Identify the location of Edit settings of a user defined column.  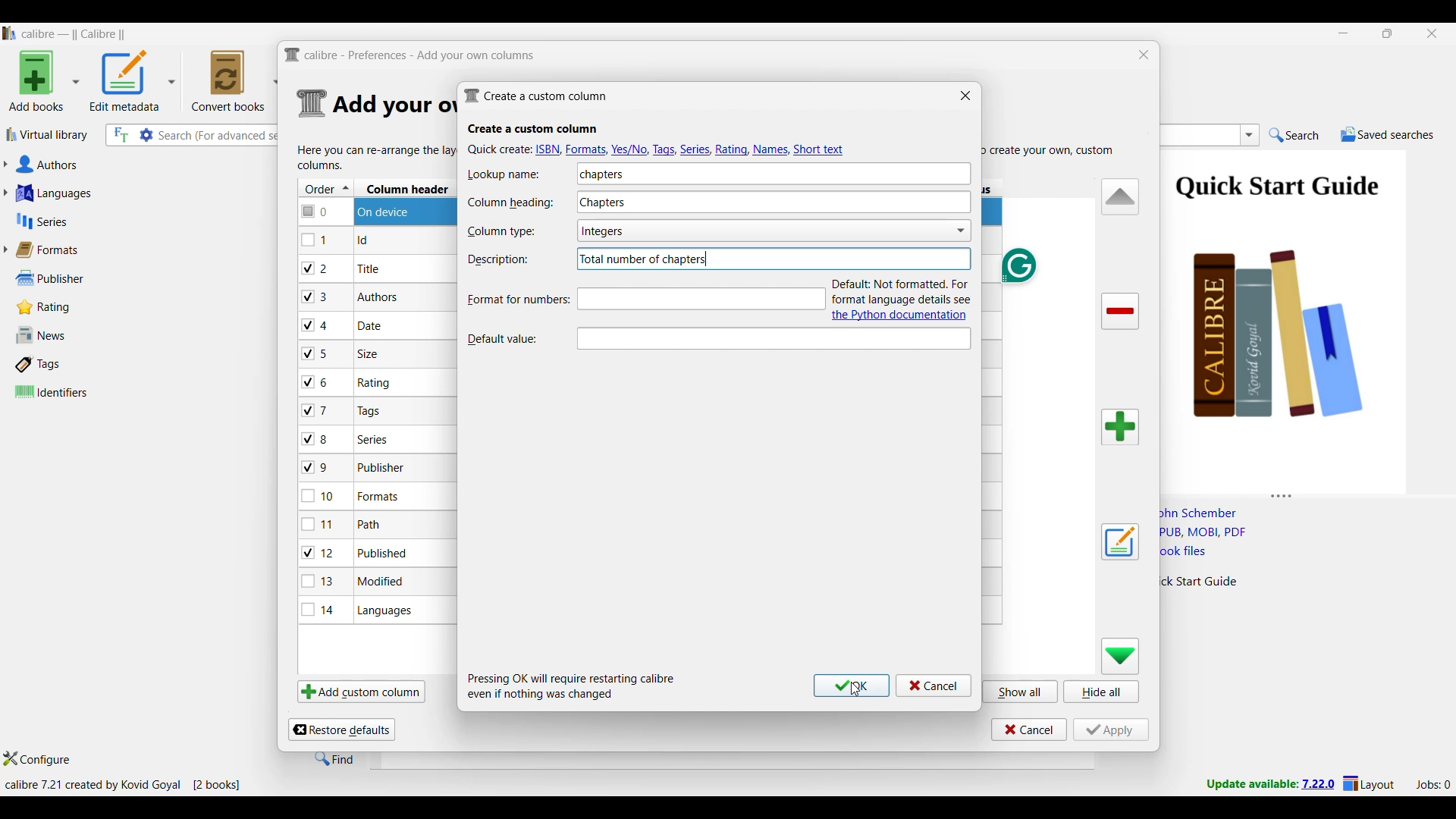
(1120, 542).